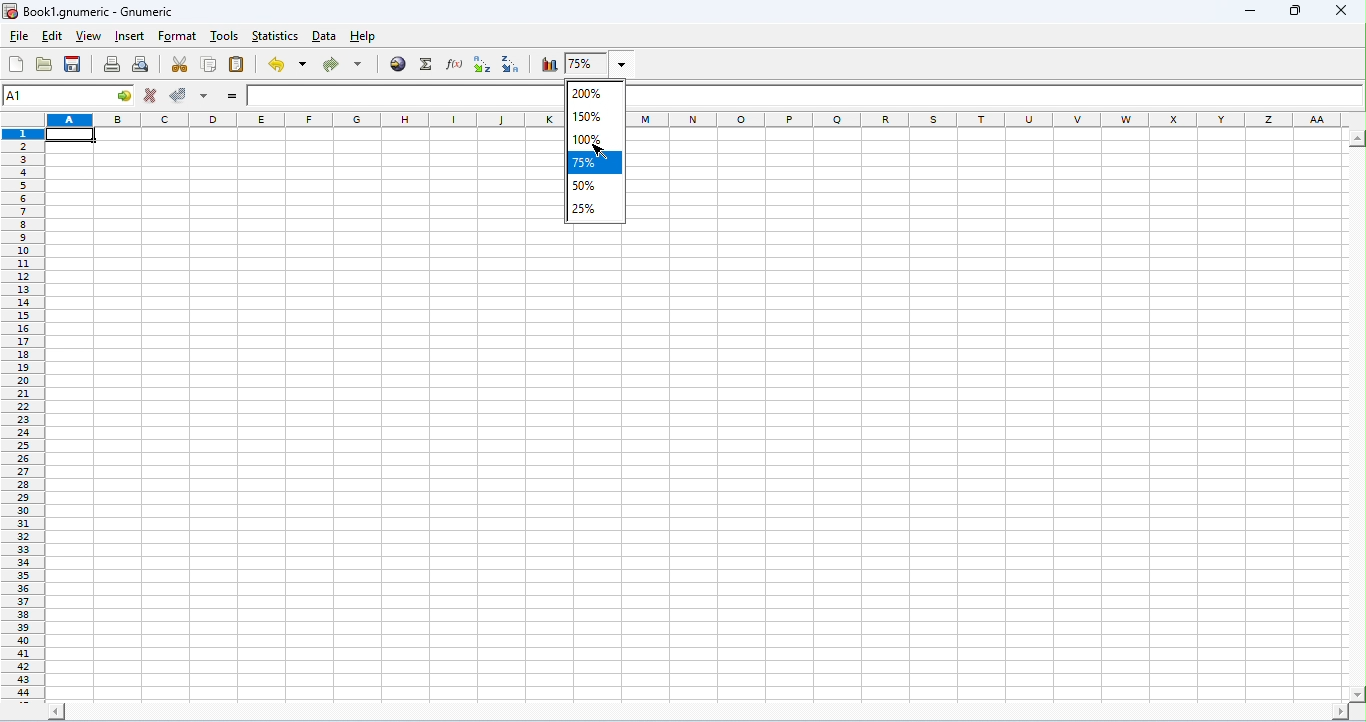  What do you see at coordinates (593, 93) in the screenshot?
I see `200%` at bounding box center [593, 93].